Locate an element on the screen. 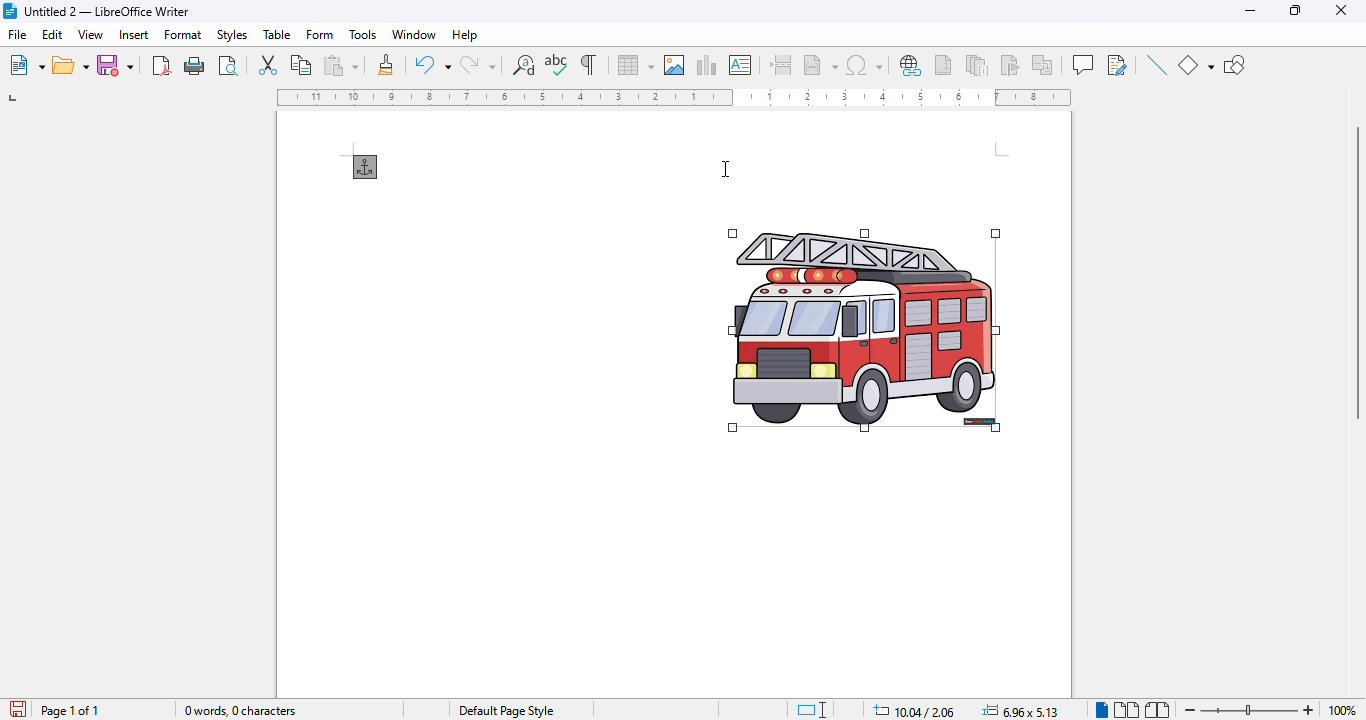  image aligned to the right side of the page is located at coordinates (864, 329).